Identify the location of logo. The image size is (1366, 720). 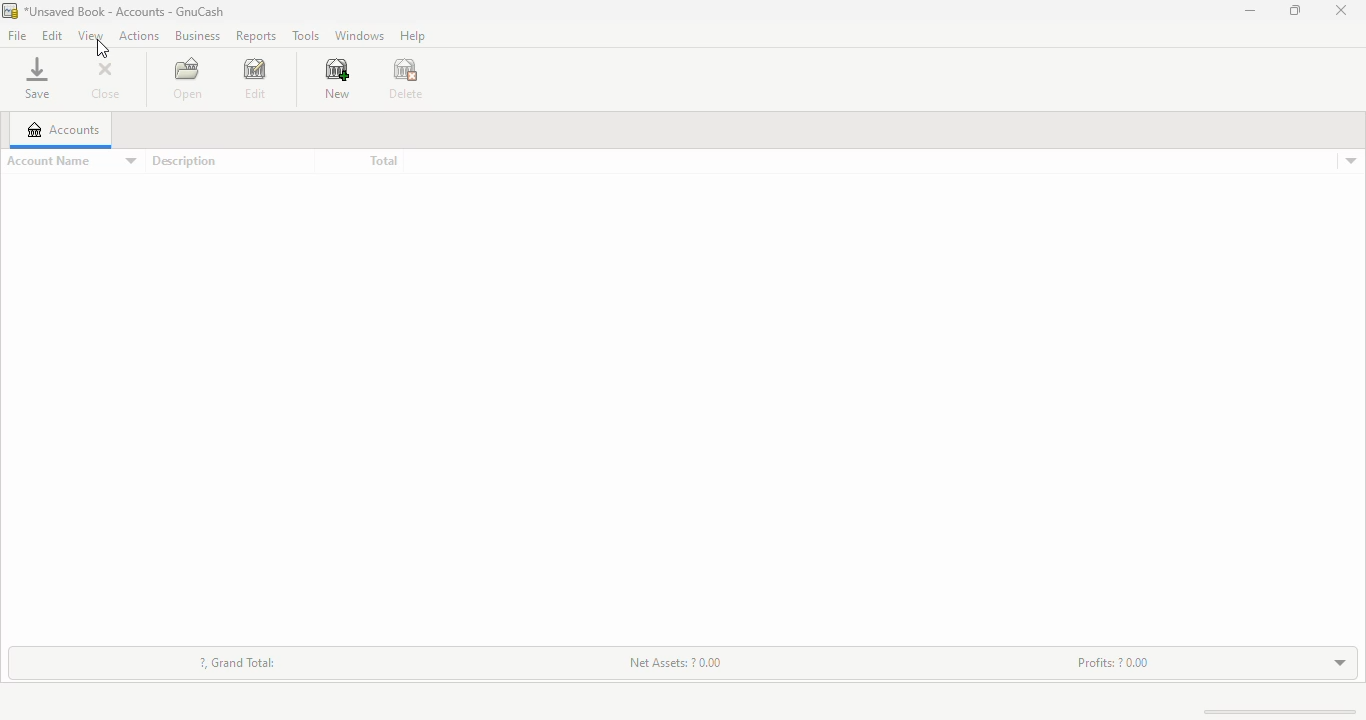
(9, 11).